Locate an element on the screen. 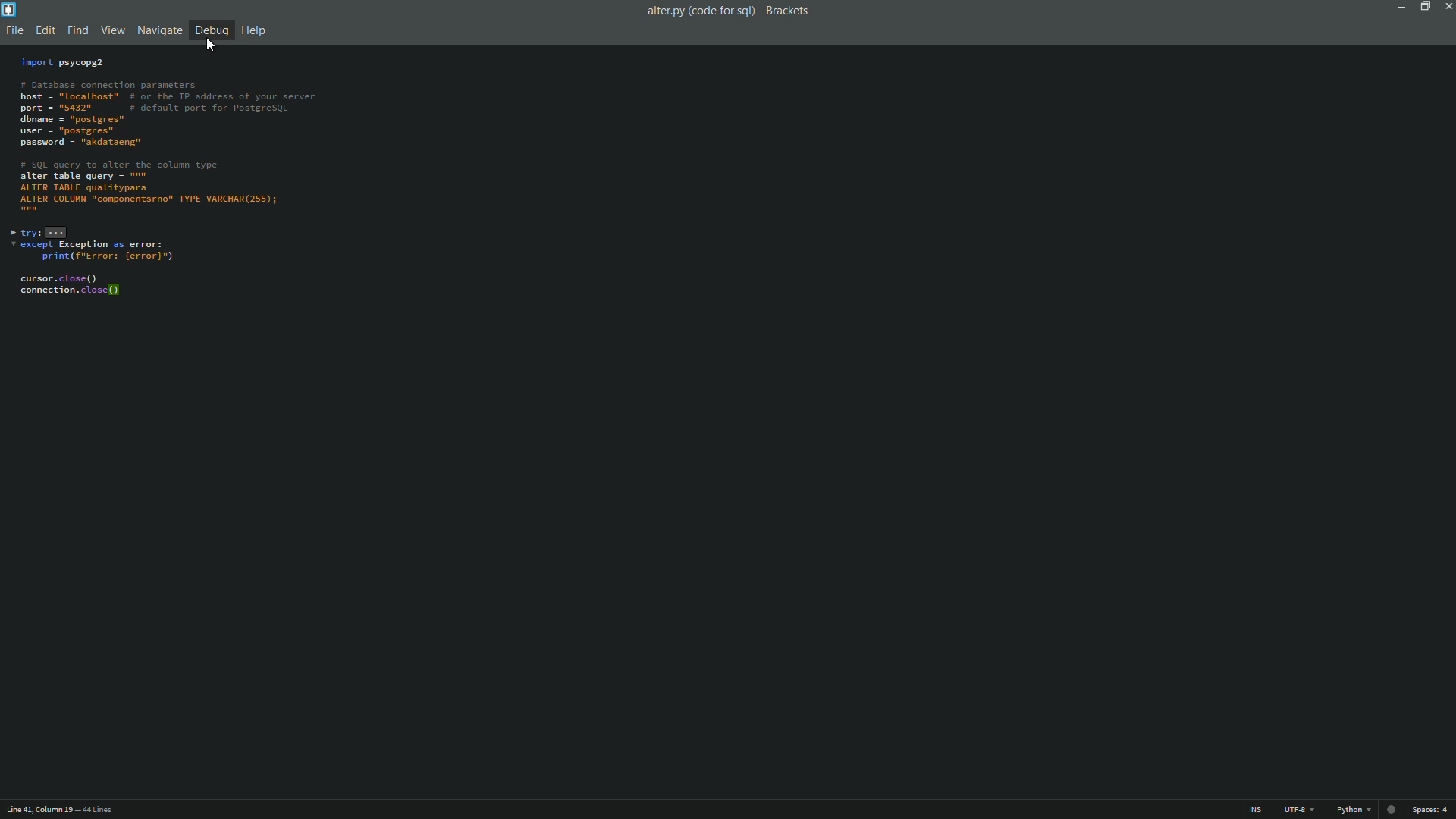 This screenshot has width=1456, height=819. Maximize is located at coordinates (1423, 6).